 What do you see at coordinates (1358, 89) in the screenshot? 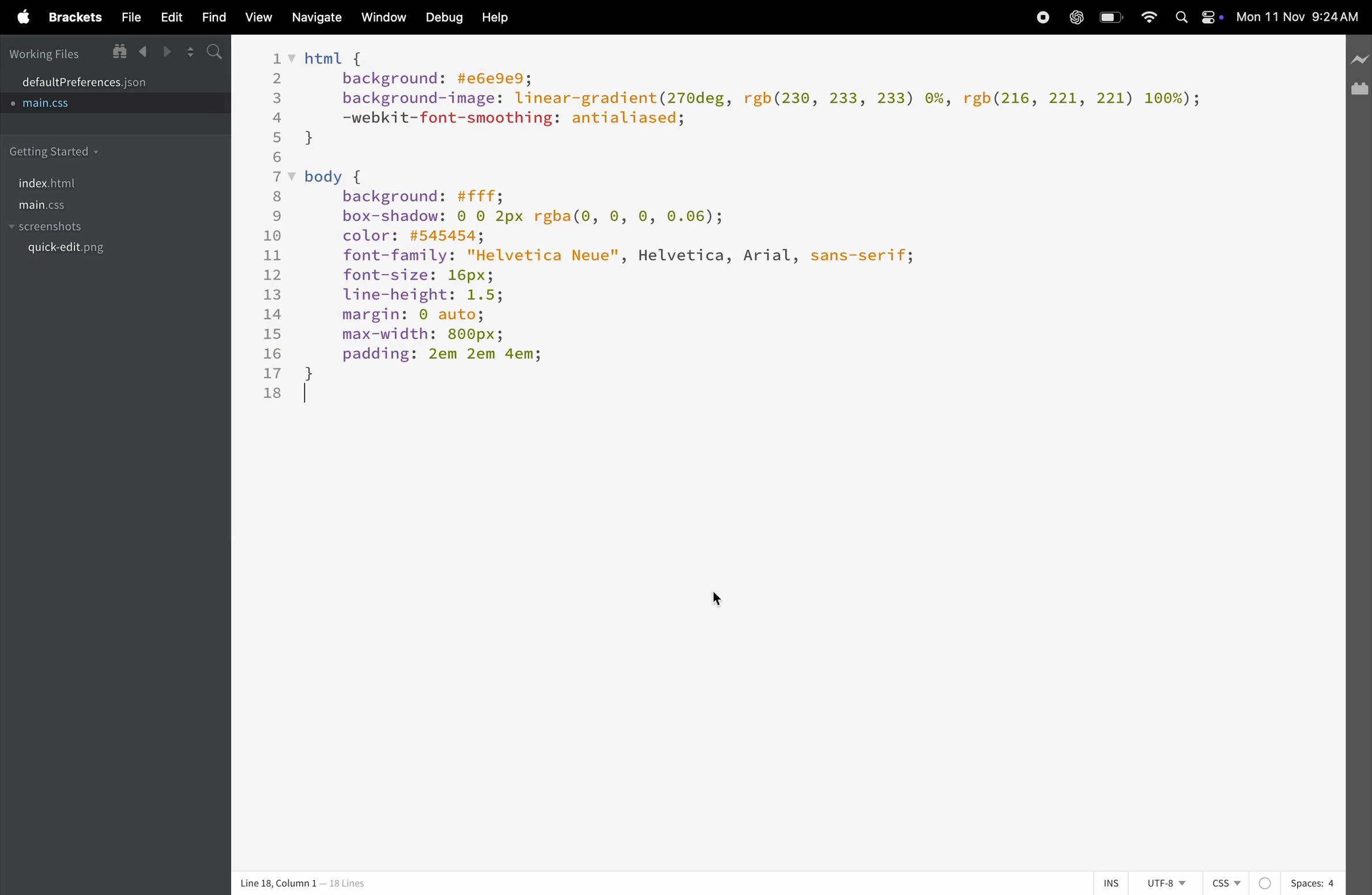
I see `icon` at bounding box center [1358, 89].